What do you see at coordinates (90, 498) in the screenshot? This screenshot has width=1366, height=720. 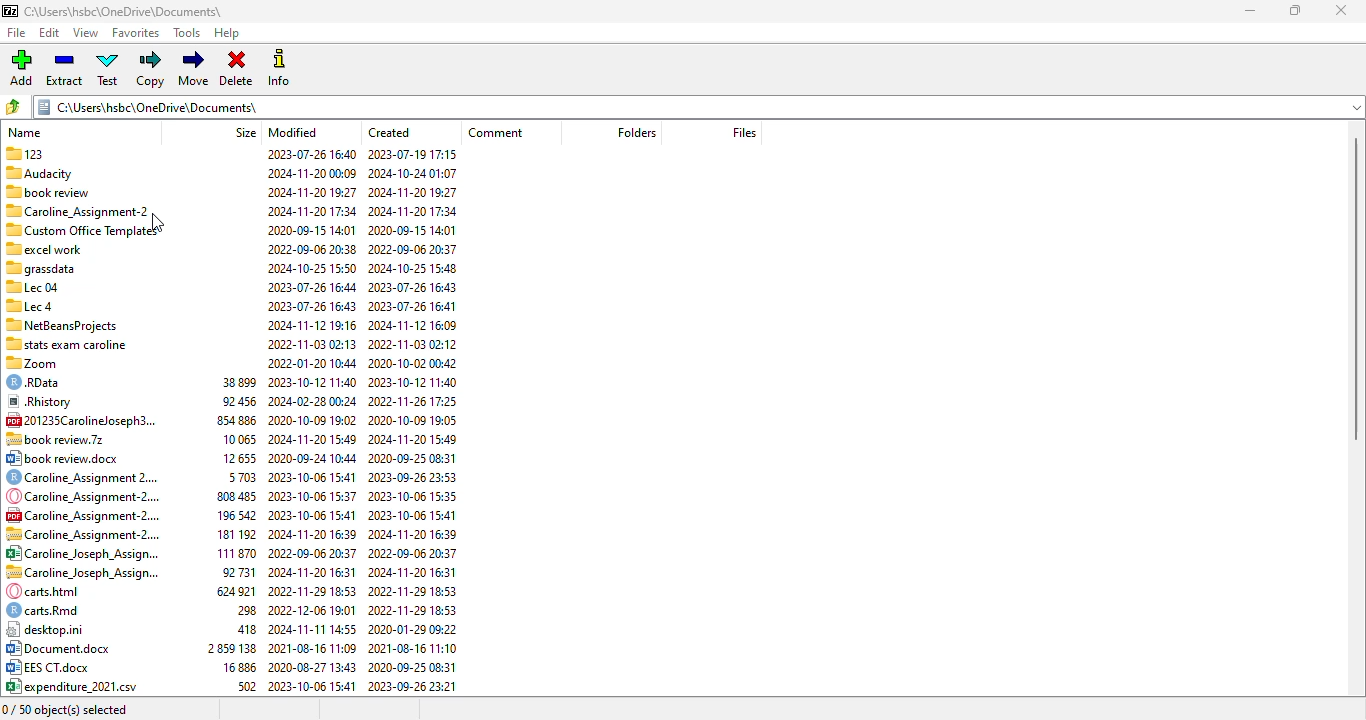 I see `Caroline_Assignment-2....` at bounding box center [90, 498].